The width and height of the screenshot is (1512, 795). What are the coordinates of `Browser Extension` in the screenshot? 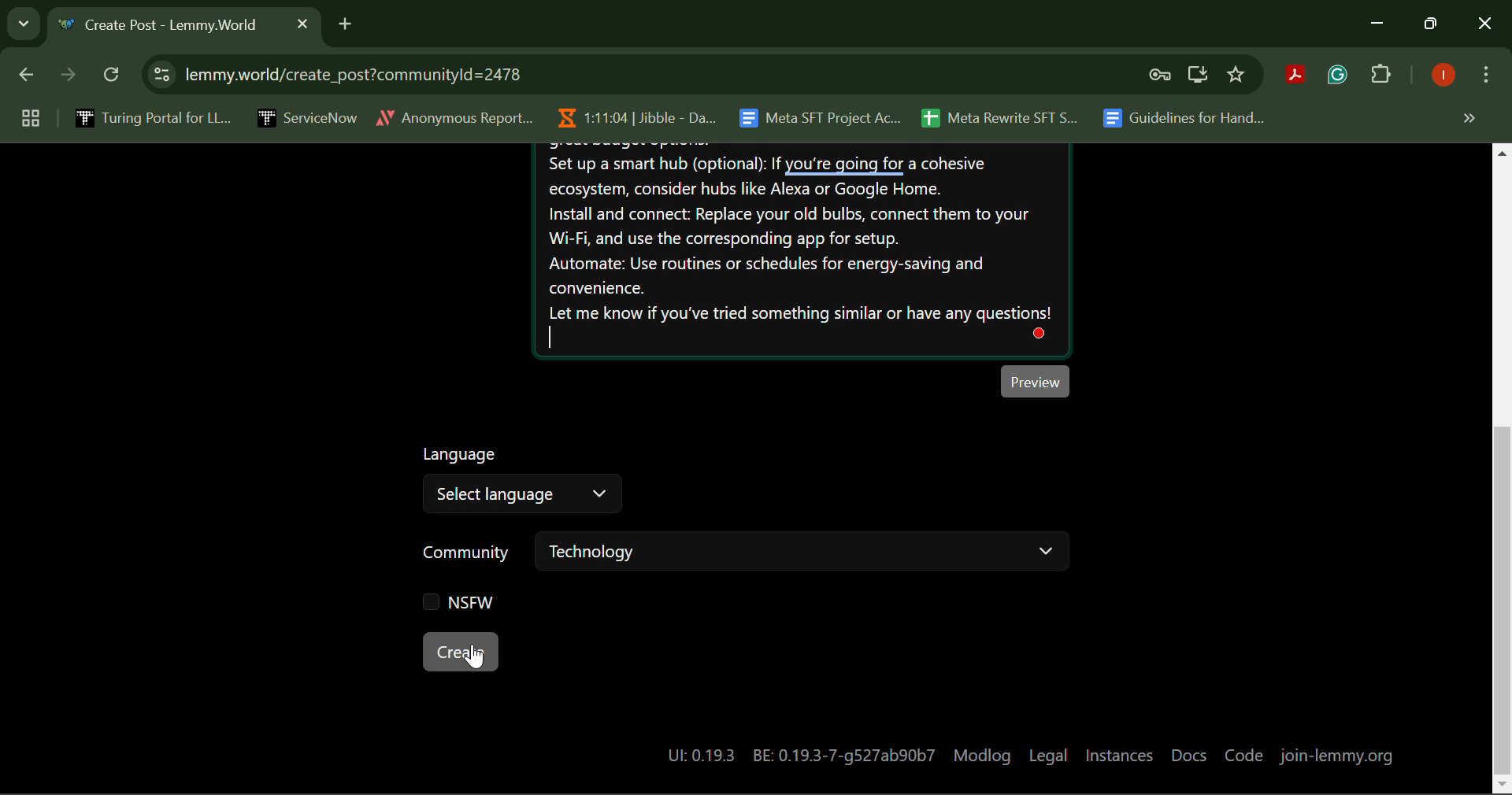 It's located at (1341, 76).